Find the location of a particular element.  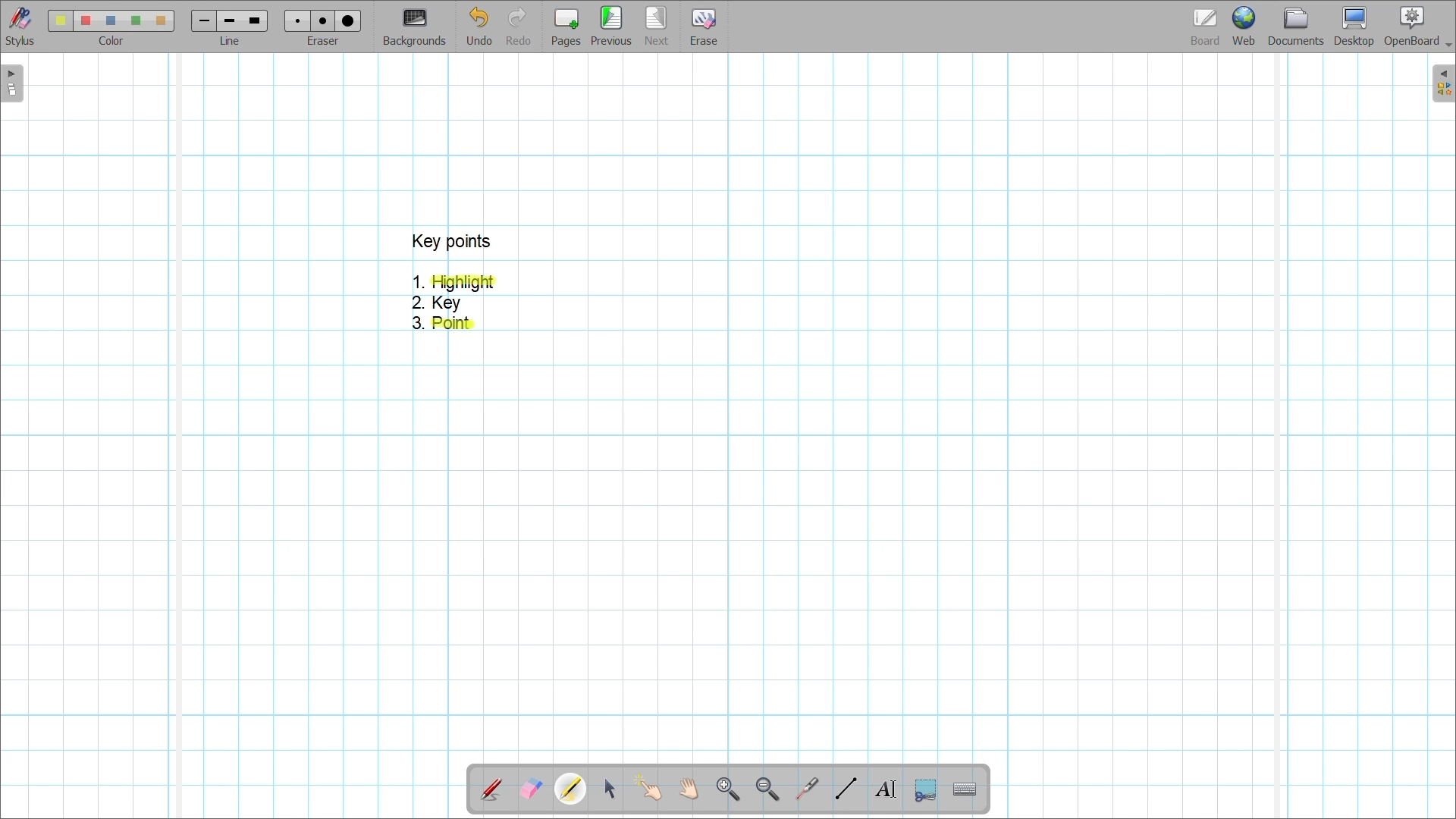

Stylus menu at the bottom of the page is located at coordinates (21, 27).